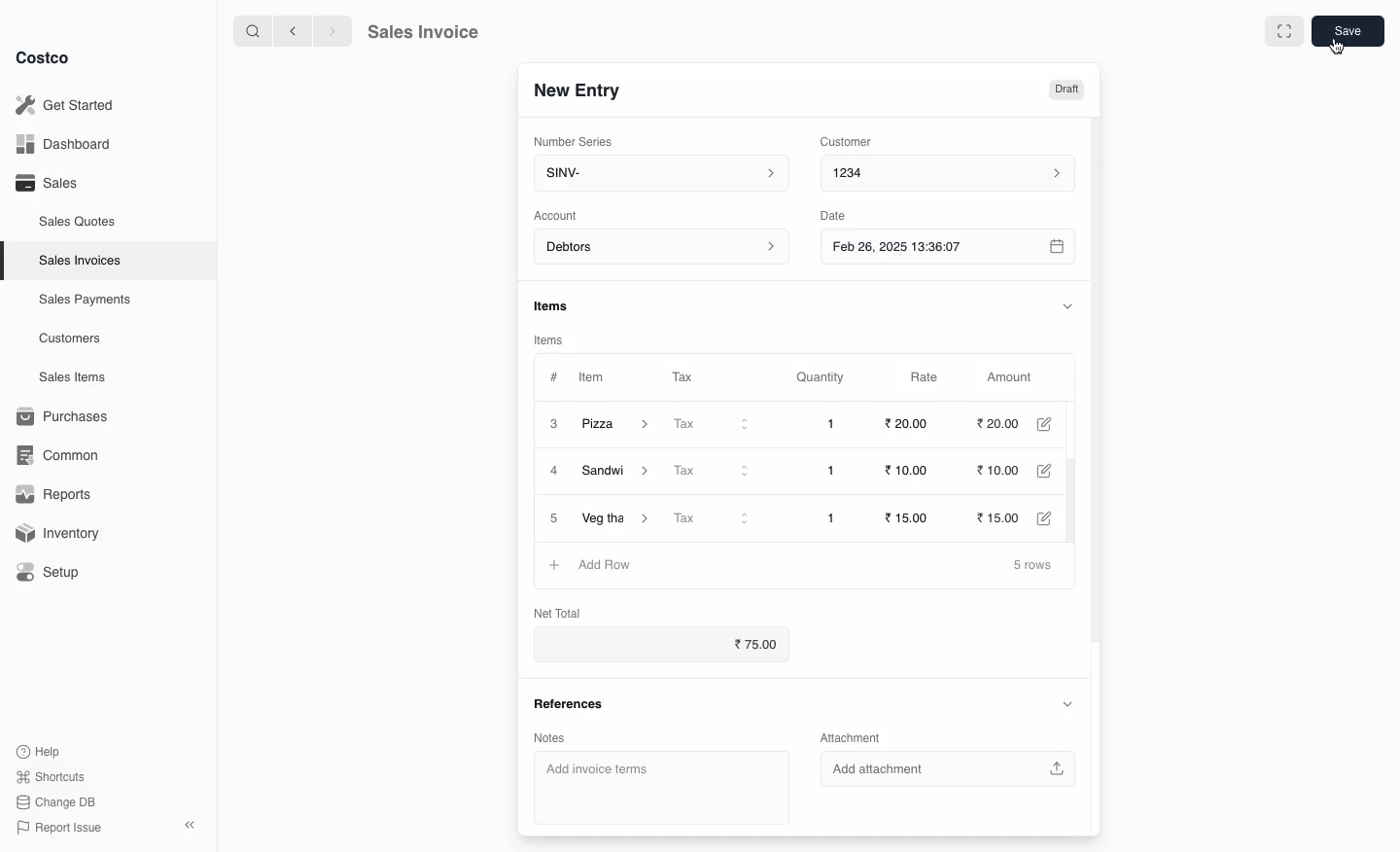  Describe the element at coordinates (852, 739) in the screenshot. I see `Attachment` at that location.